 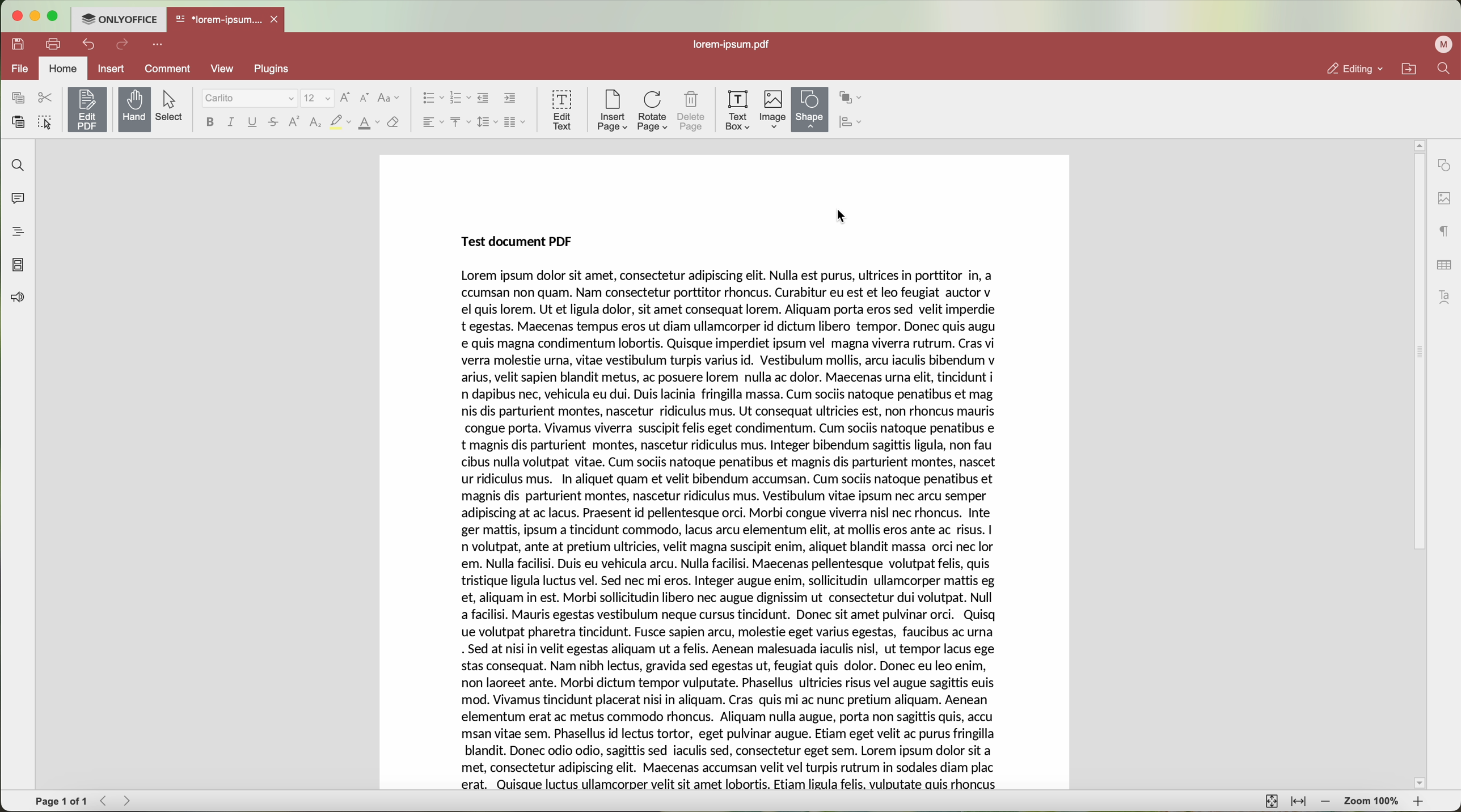 What do you see at coordinates (15, 97) in the screenshot?
I see `copy` at bounding box center [15, 97].